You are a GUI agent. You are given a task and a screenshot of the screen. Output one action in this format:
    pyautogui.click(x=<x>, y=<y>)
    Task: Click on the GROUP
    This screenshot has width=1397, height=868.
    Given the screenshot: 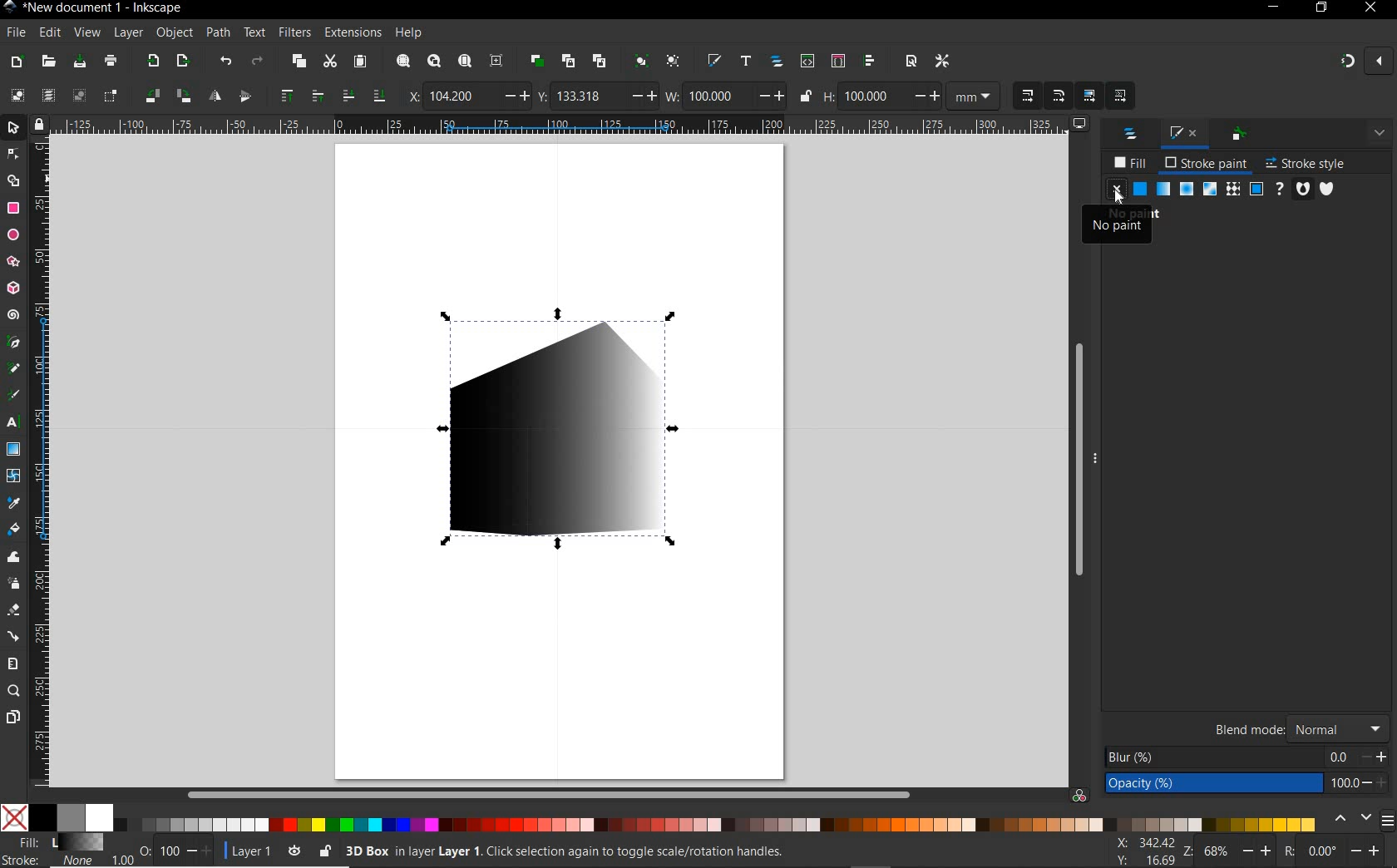 What is the action you would take?
    pyautogui.click(x=640, y=60)
    